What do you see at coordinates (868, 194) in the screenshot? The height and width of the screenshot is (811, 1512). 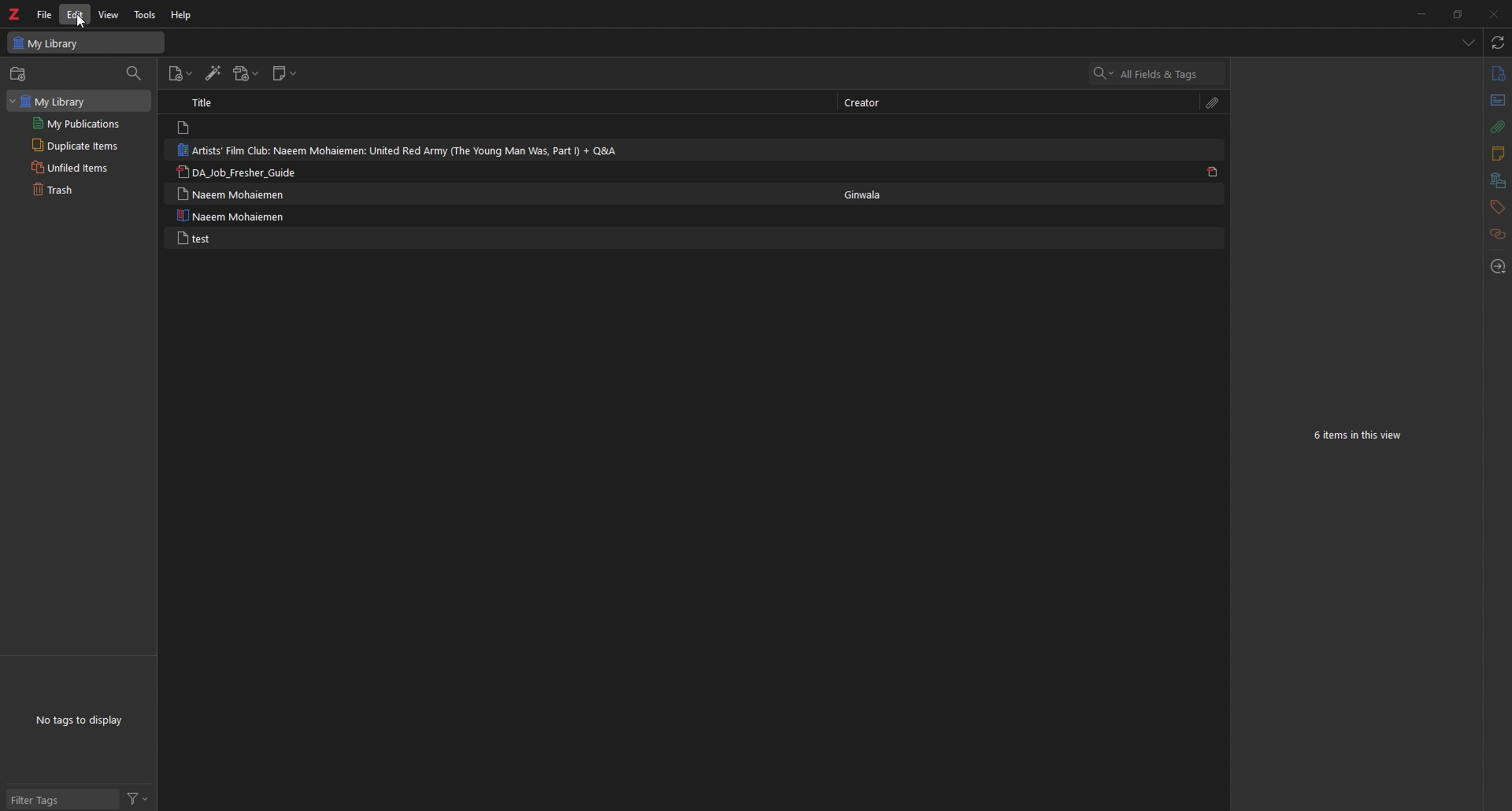 I see `Ginwala` at bounding box center [868, 194].